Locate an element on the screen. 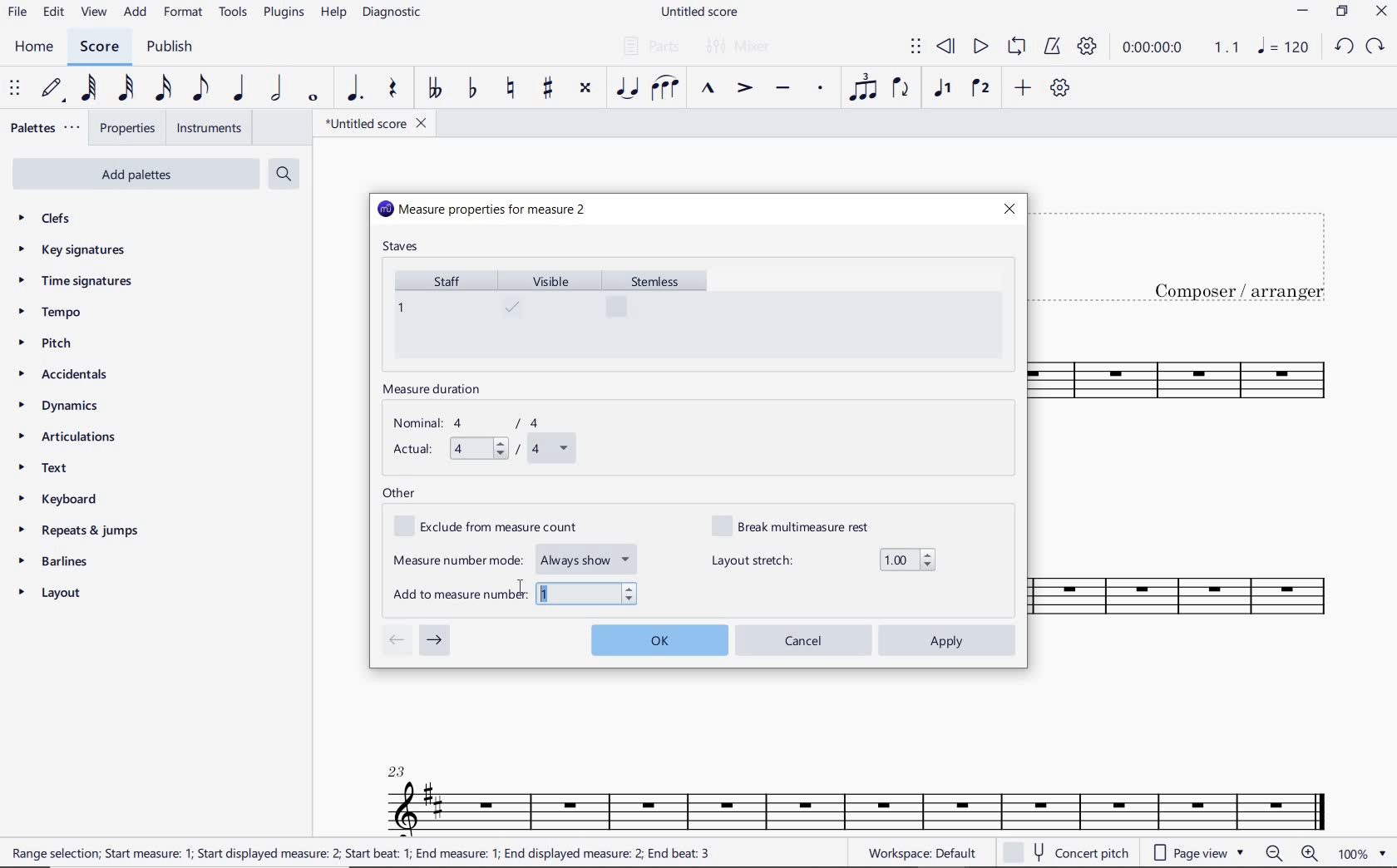 The width and height of the screenshot is (1397, 868). TOGGLE-DOUBLE FLAT is located at coordinates (434, 88).